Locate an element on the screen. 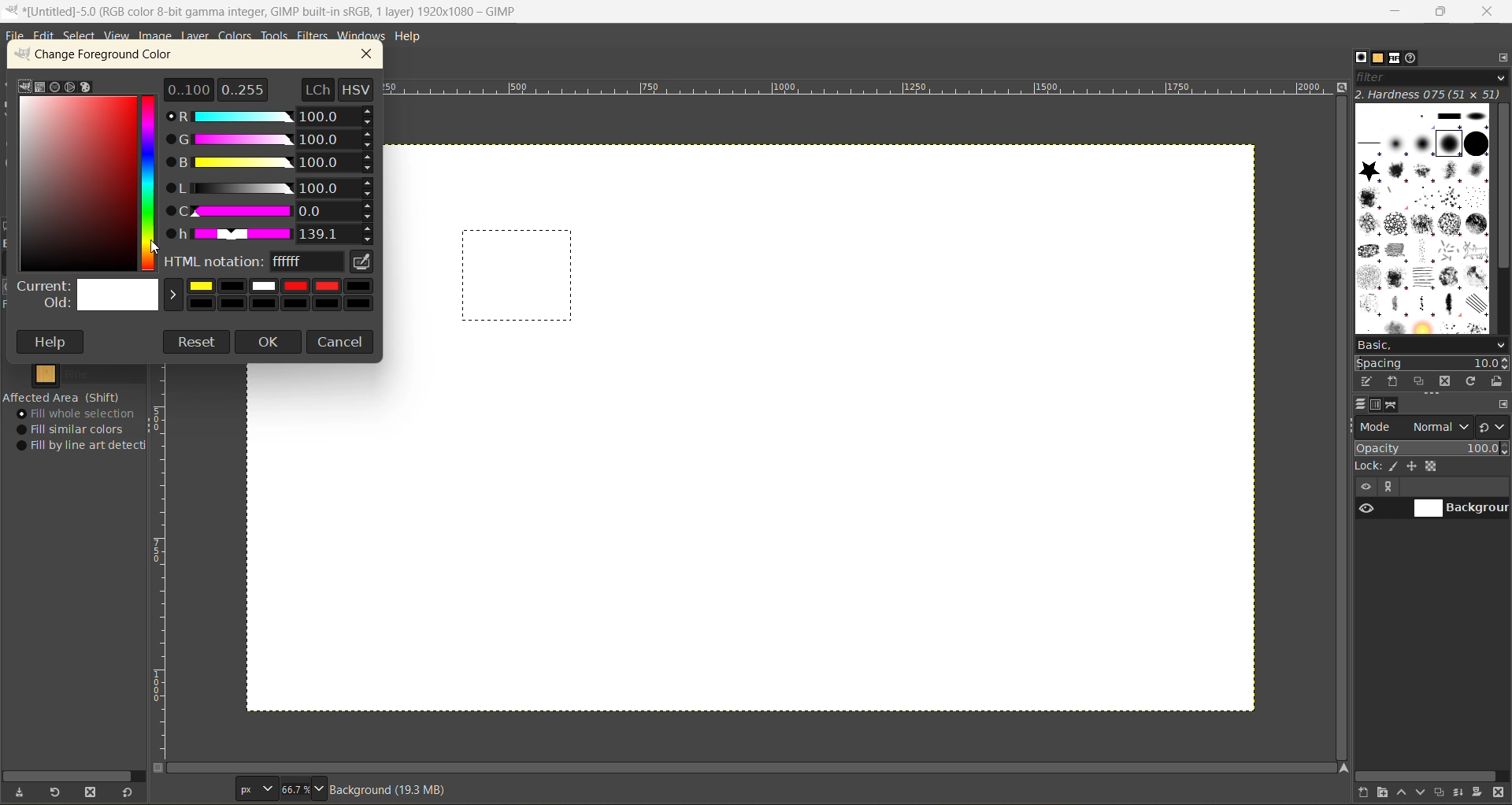 The height and width of the screenshot is (805, 1512). configure is located at coordinates (1502, 406).